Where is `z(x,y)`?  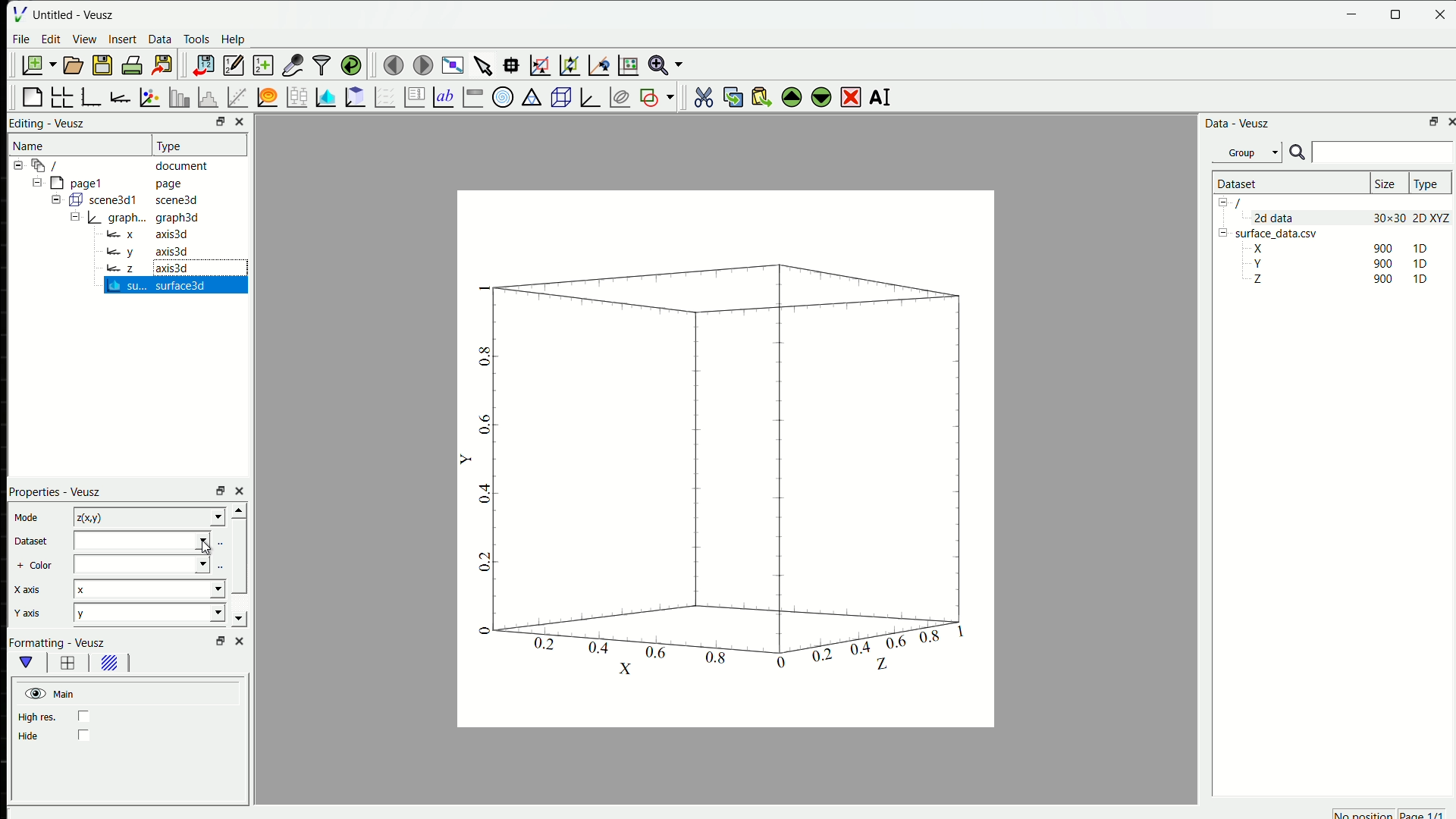
z(x,y) is located at coordinates (140, 516).